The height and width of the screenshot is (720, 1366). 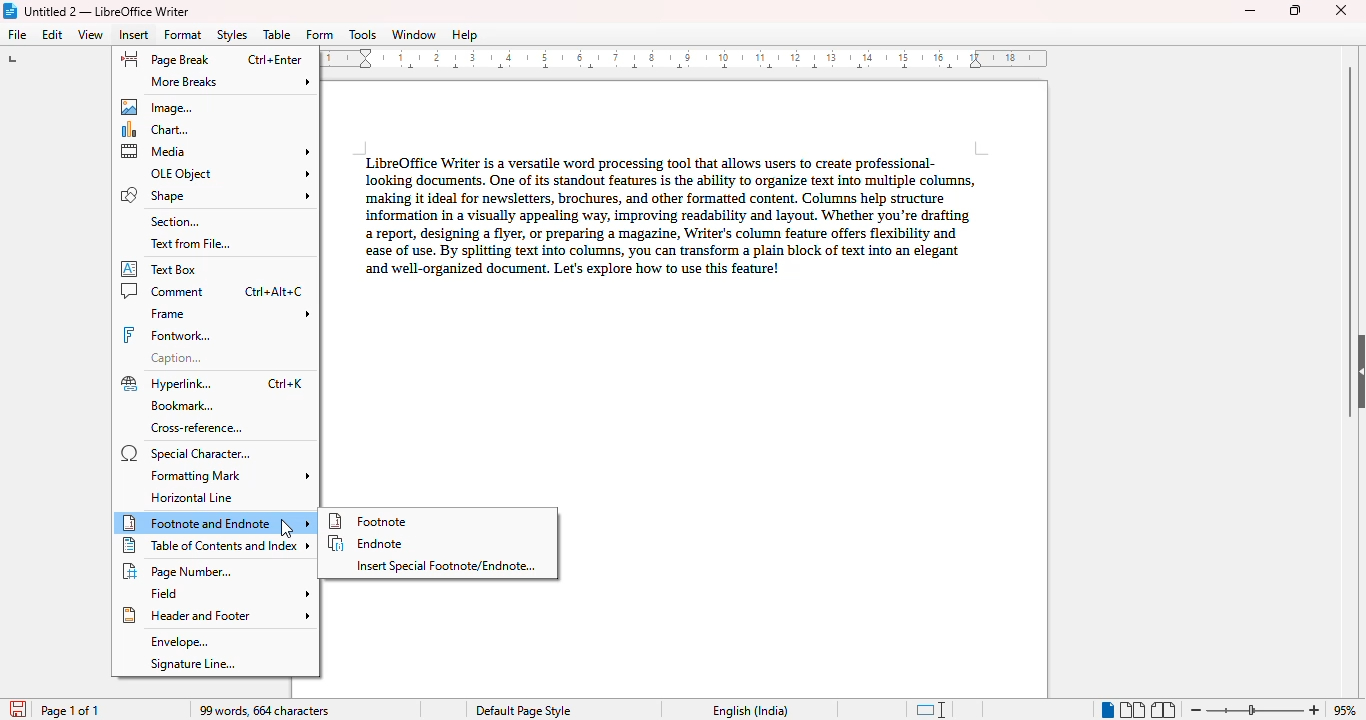 I want to click on English (India), so click(x=750, y=711).